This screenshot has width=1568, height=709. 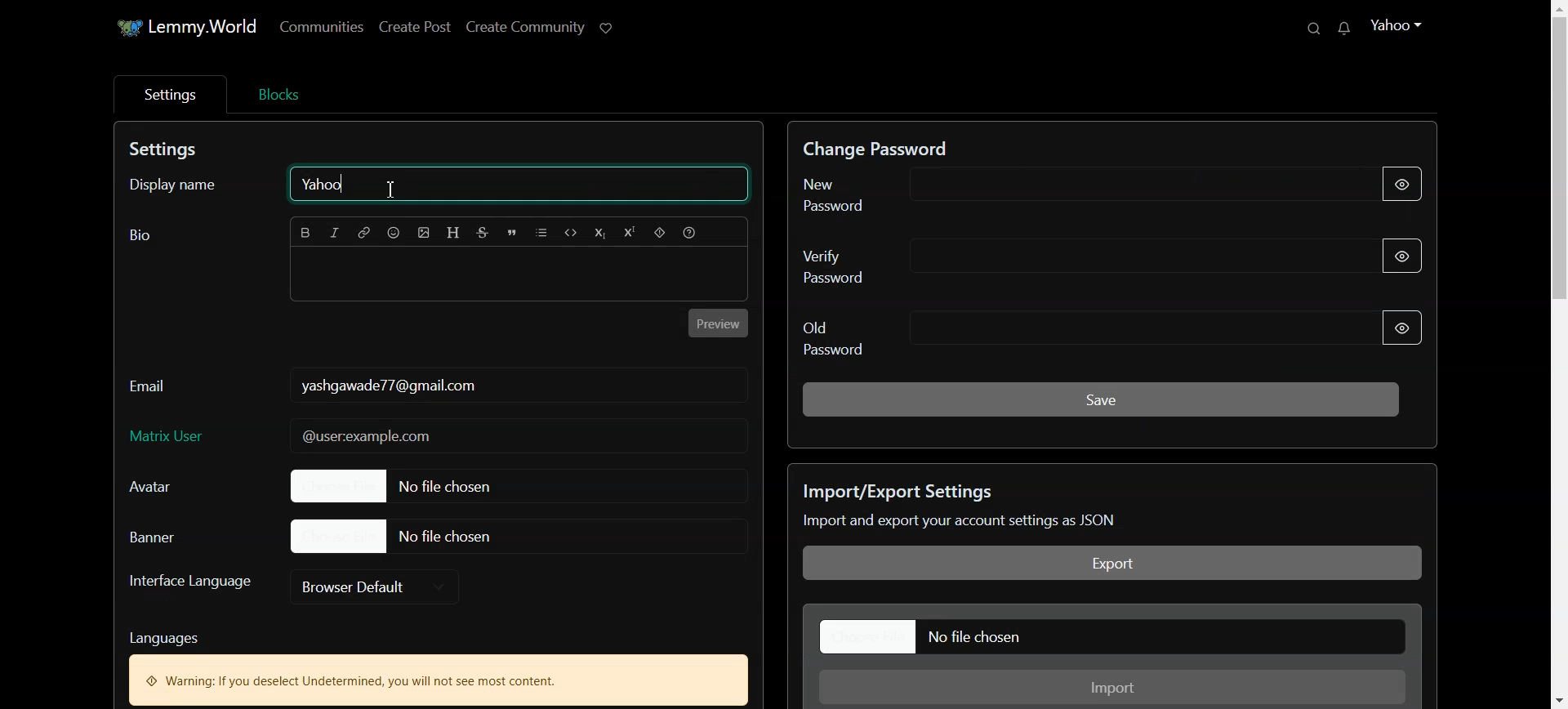 What do you see at coordinates (513, 234) in the screenshot?
I see `Quote` at bounding box center [513, 234].